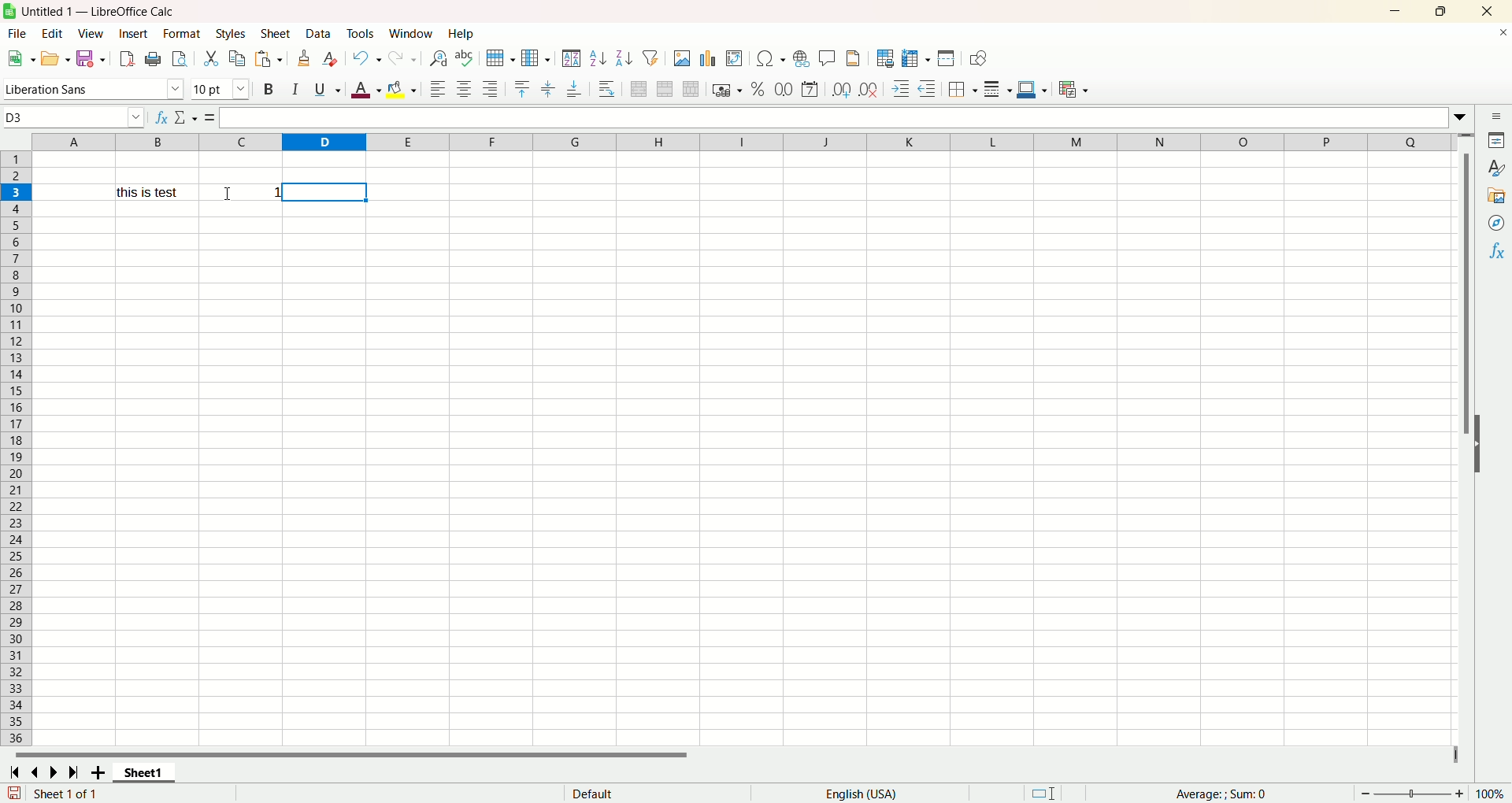  What do you see at coordinates (759, 87) in the screenshot?
I see `format as percent` at bounding box center [759, 87].